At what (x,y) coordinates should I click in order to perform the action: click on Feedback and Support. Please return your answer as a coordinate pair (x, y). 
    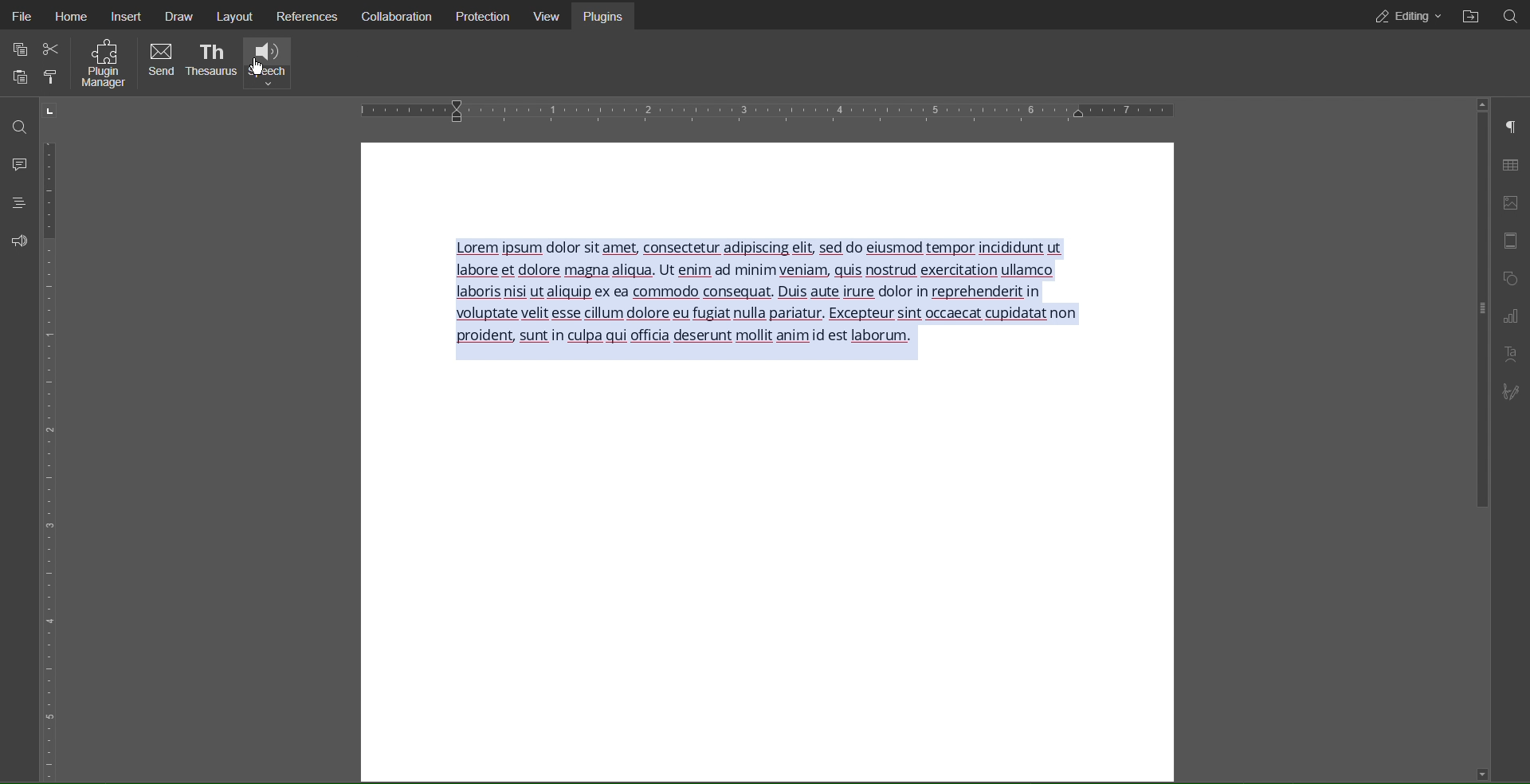
    Looking at the image, I should click on (14, 241).